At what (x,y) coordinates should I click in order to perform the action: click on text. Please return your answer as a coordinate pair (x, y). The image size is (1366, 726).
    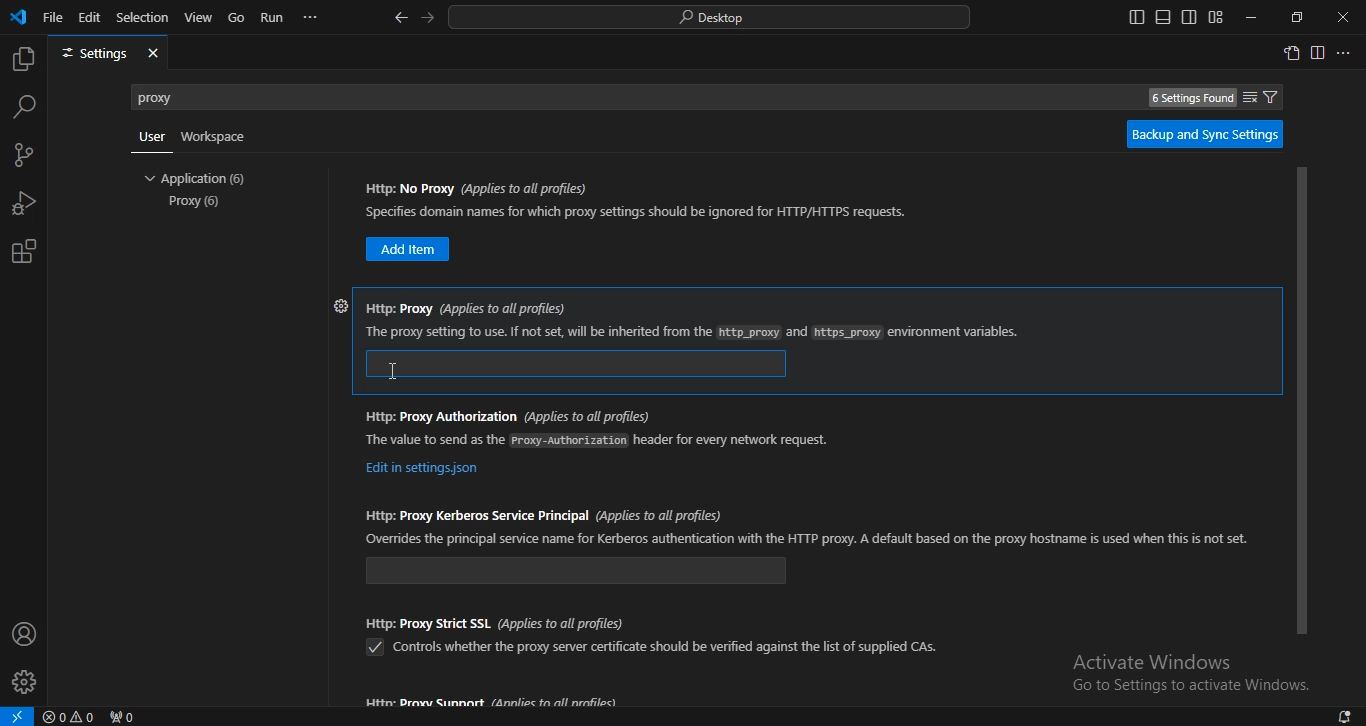
    Looking at the image, I should click on (1193, 688).